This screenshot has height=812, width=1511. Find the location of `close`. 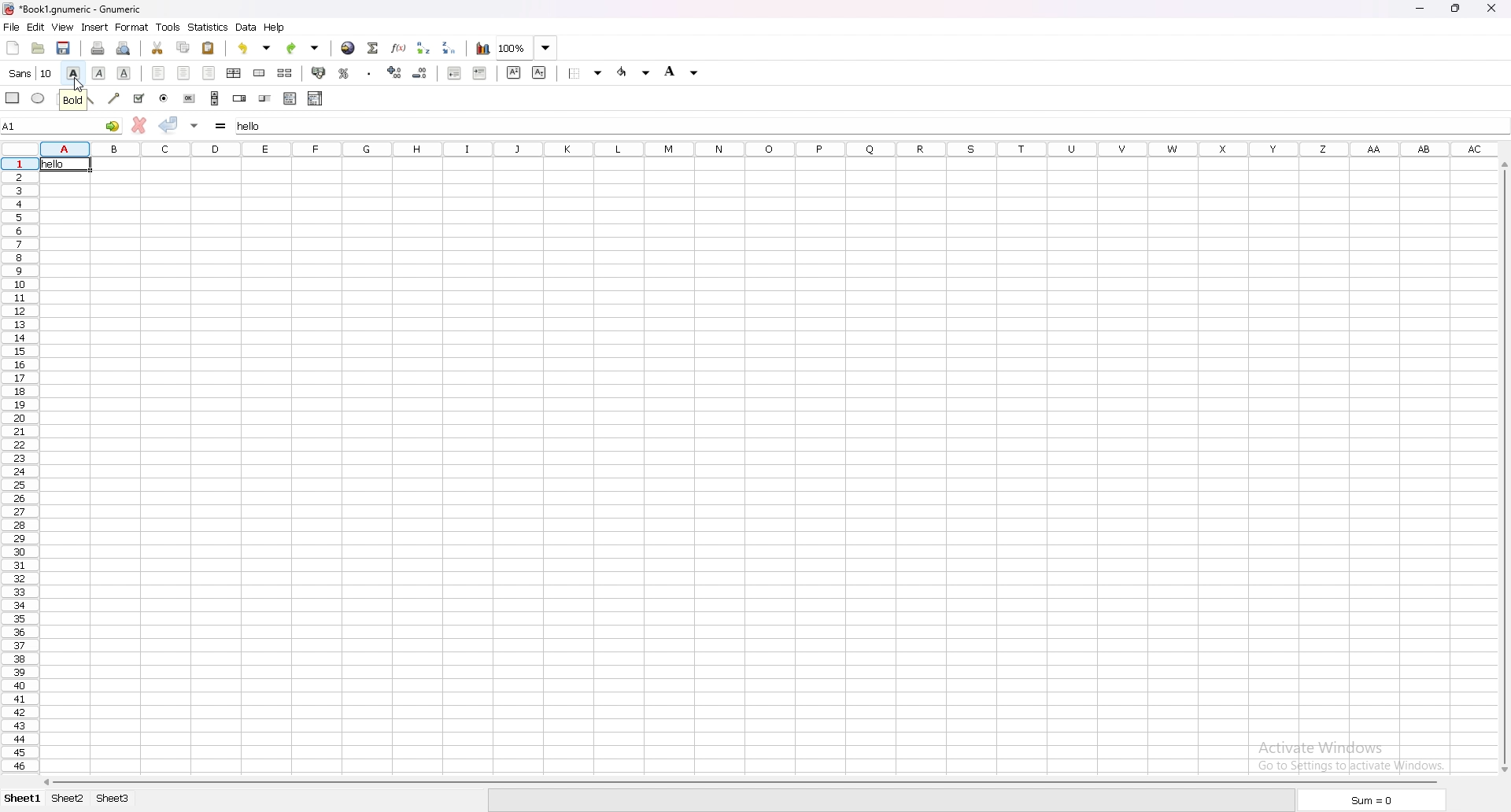

close is located at coordinates (1491, 8).